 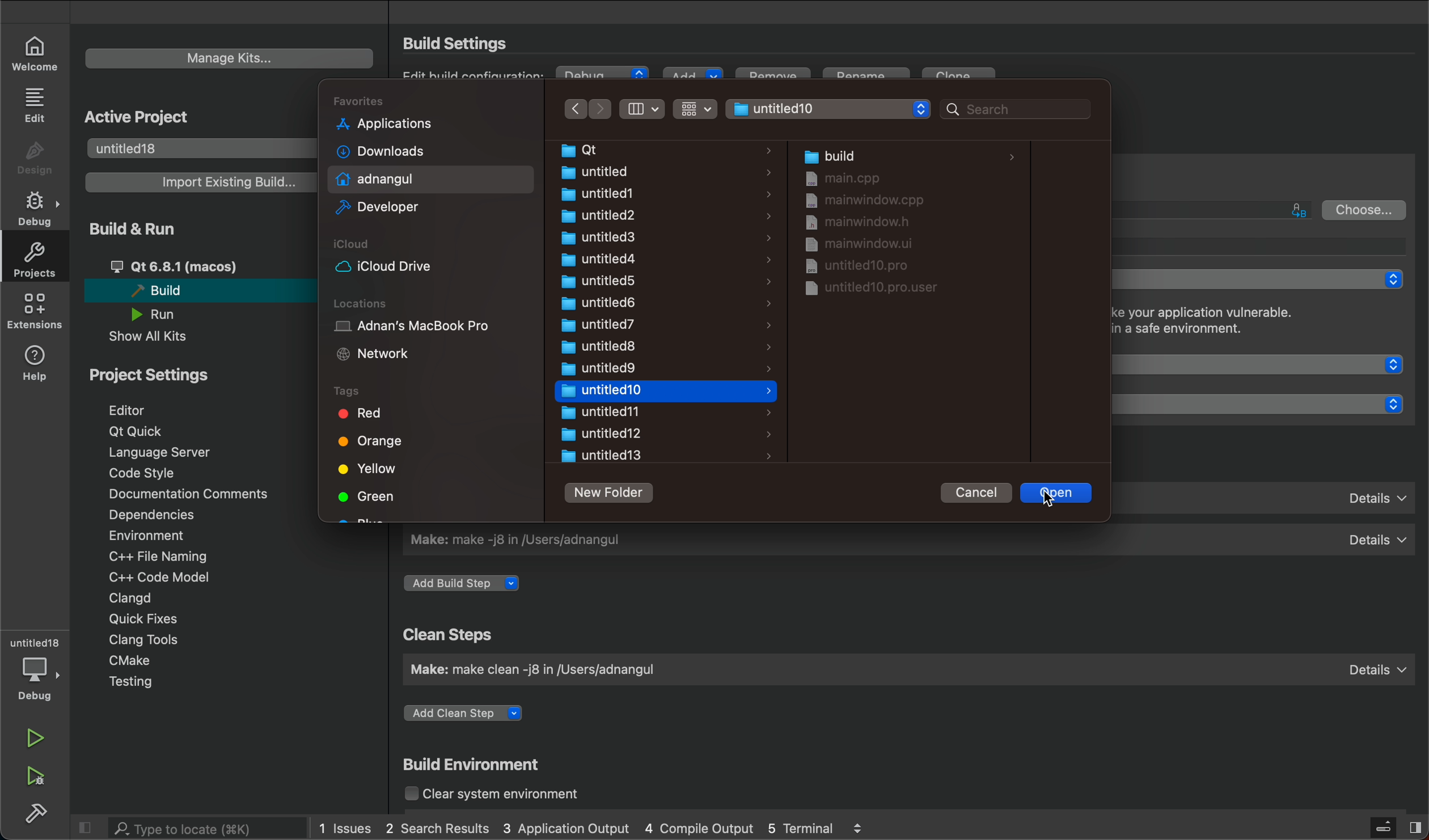 What do you see at coordinates (650, 172) in the screenshot?
I see `untitled` at bounding box center [650, 172].